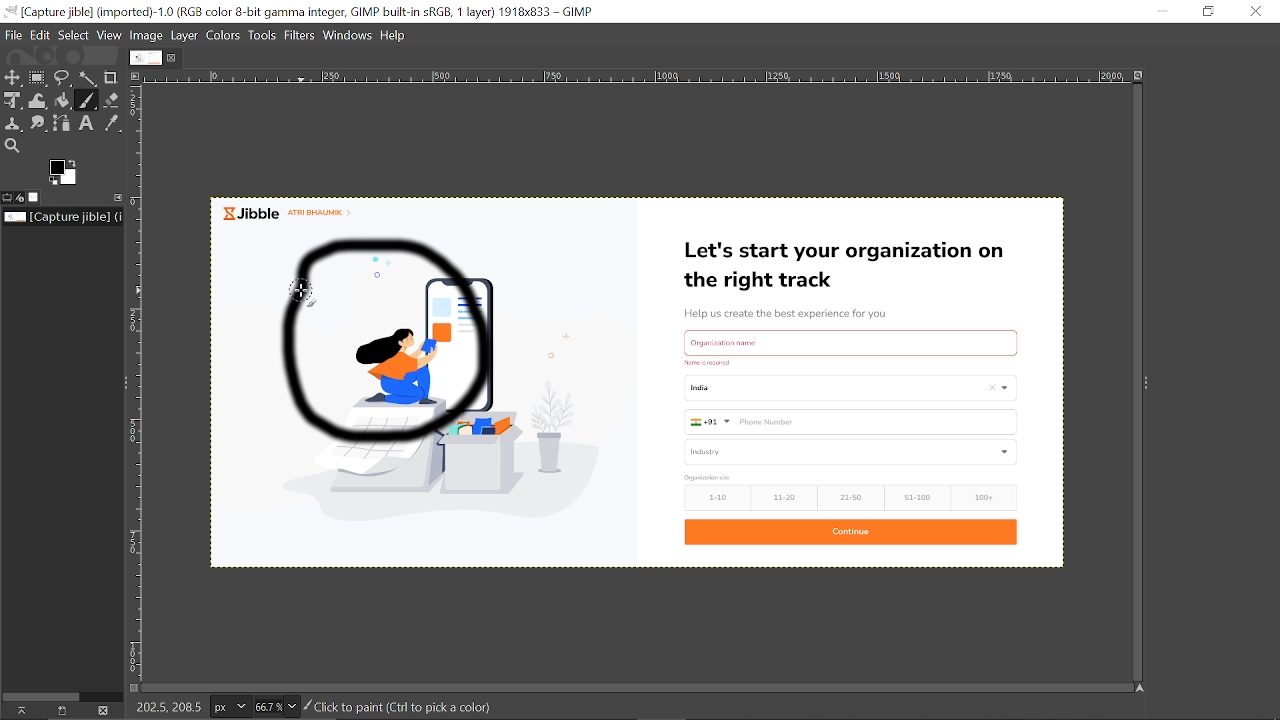 The width and height of the screenshot is (1280, 720). What do you see at coordinates (146, 58) in the screenshot?
I see `Current image tab` at bounding box center [146, 58].